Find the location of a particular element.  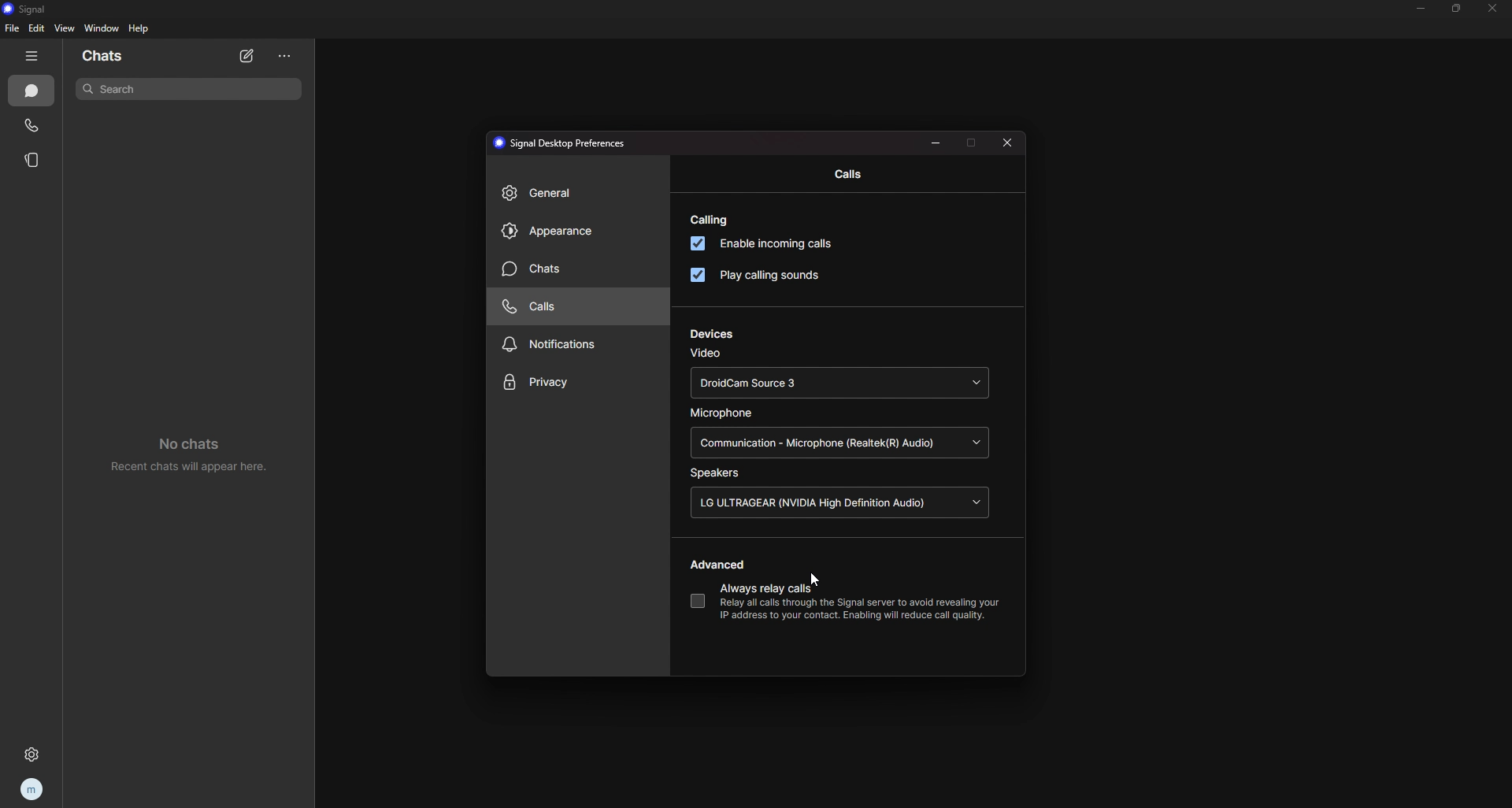

notifications is located at coordinates (577, 344).